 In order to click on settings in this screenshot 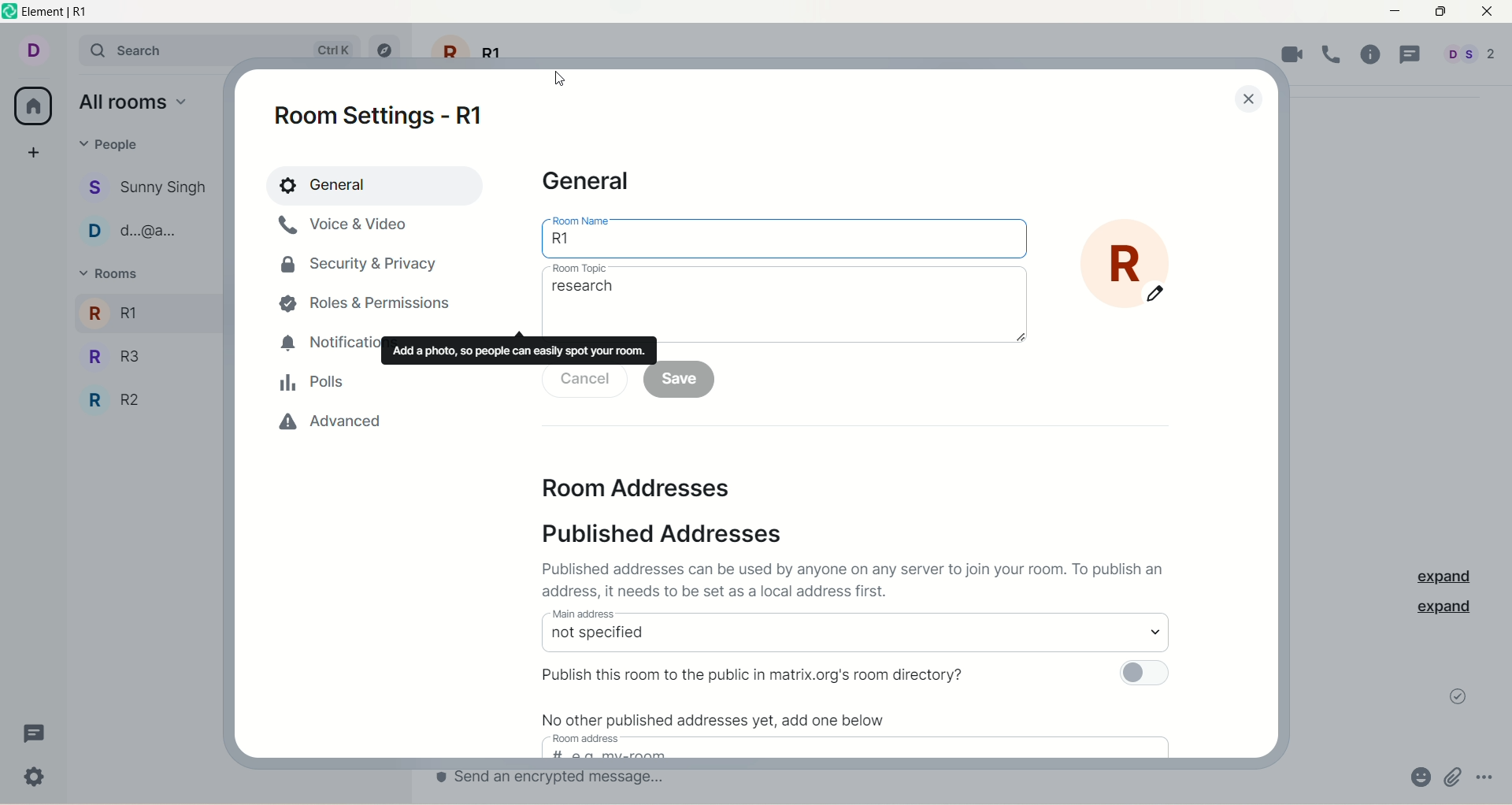, I will do `click(38, 775)`.